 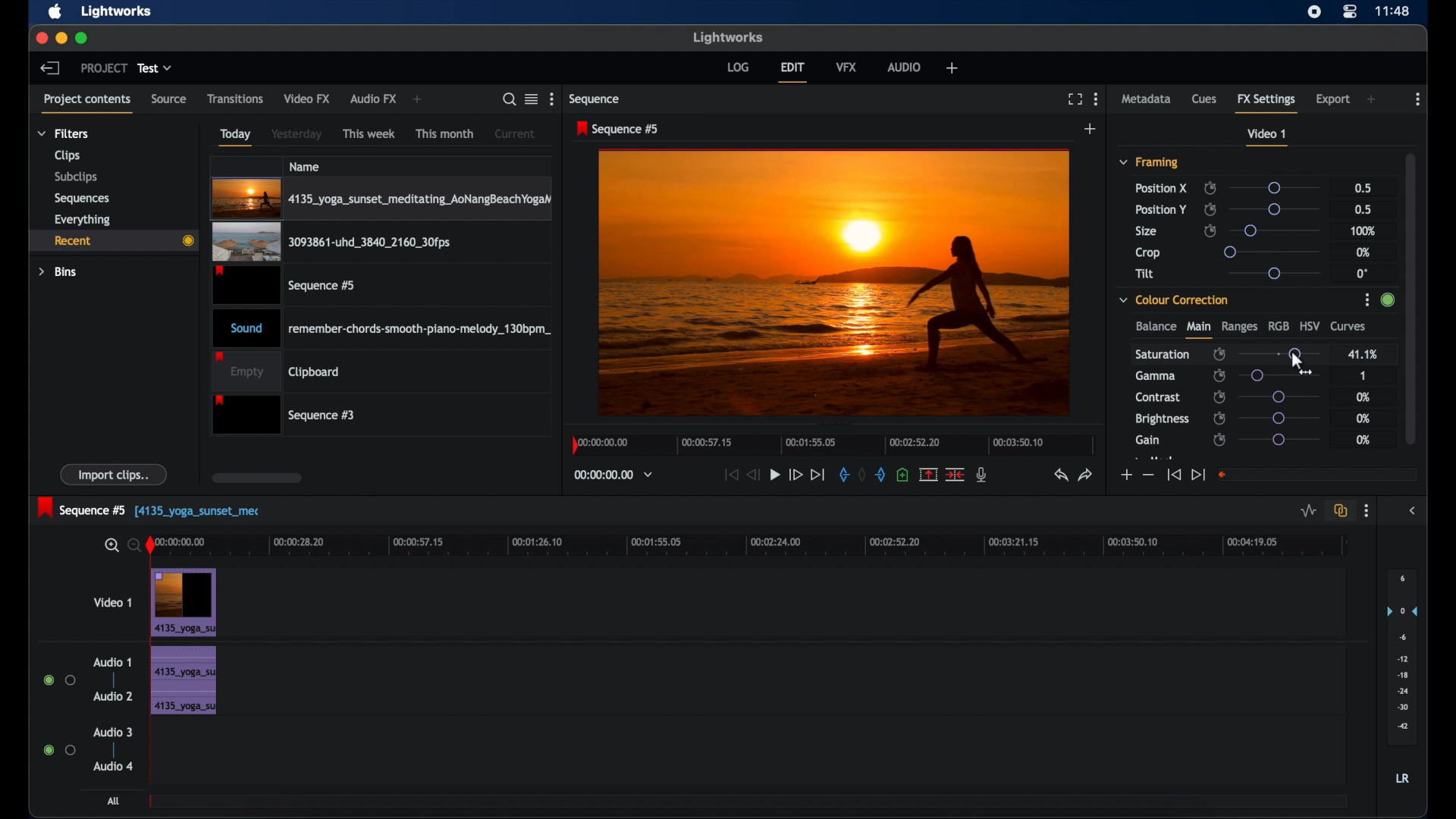 I want to click on crop, so click(x=1148, y=253).